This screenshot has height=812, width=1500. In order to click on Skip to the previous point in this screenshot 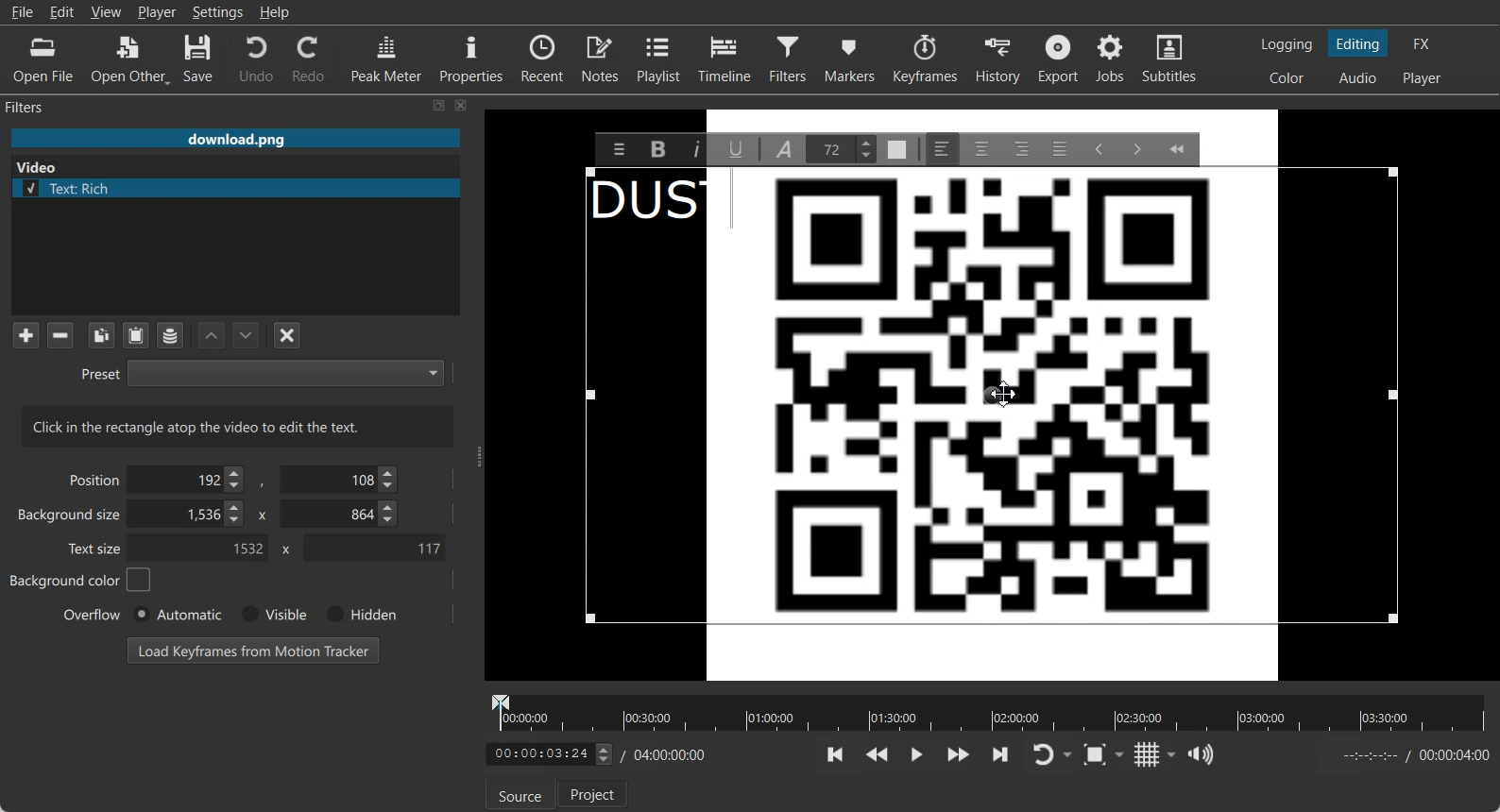, I will do `click(836, 755)`.